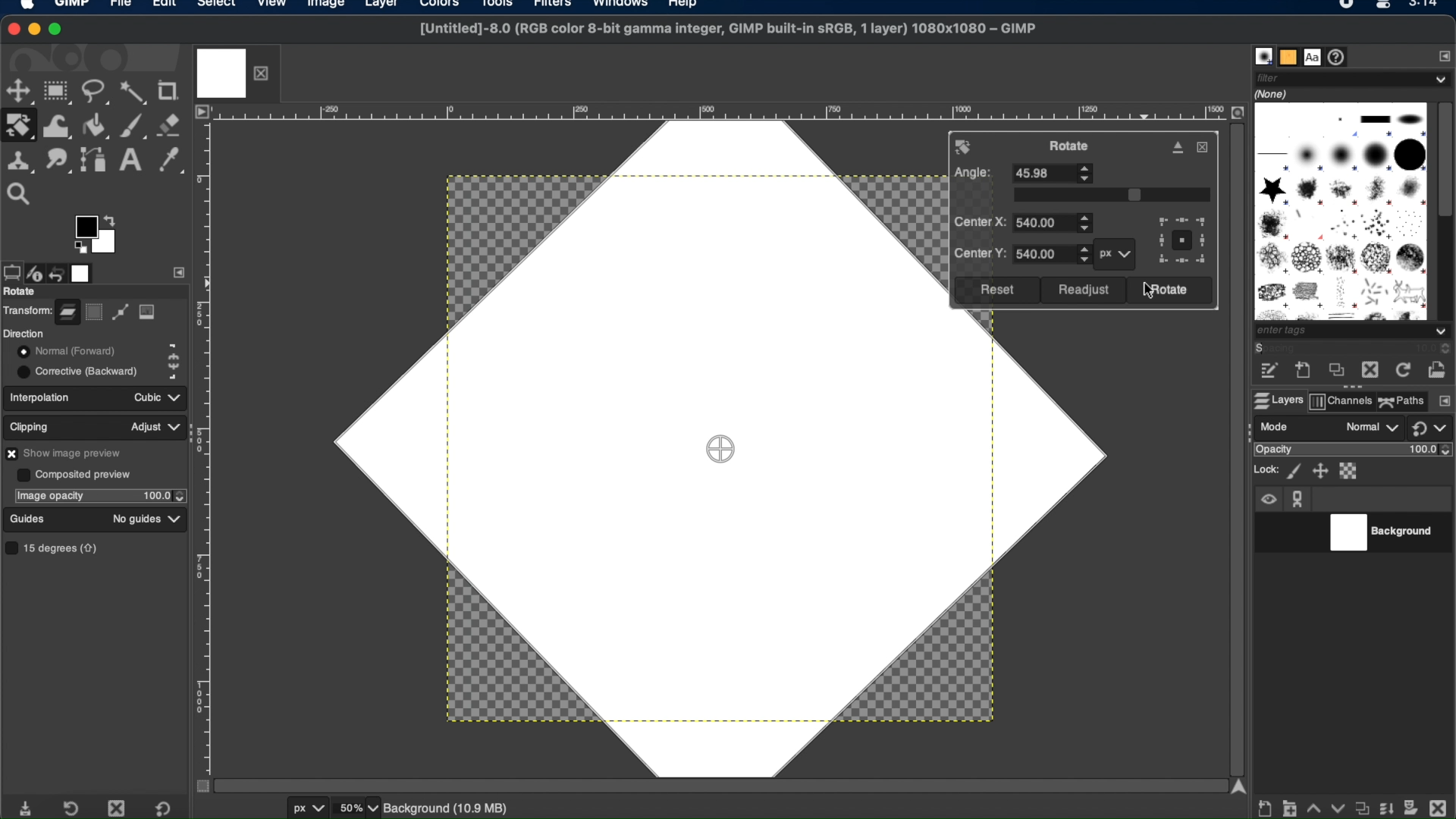  I want to click on restore to default value, so click(169, 808).